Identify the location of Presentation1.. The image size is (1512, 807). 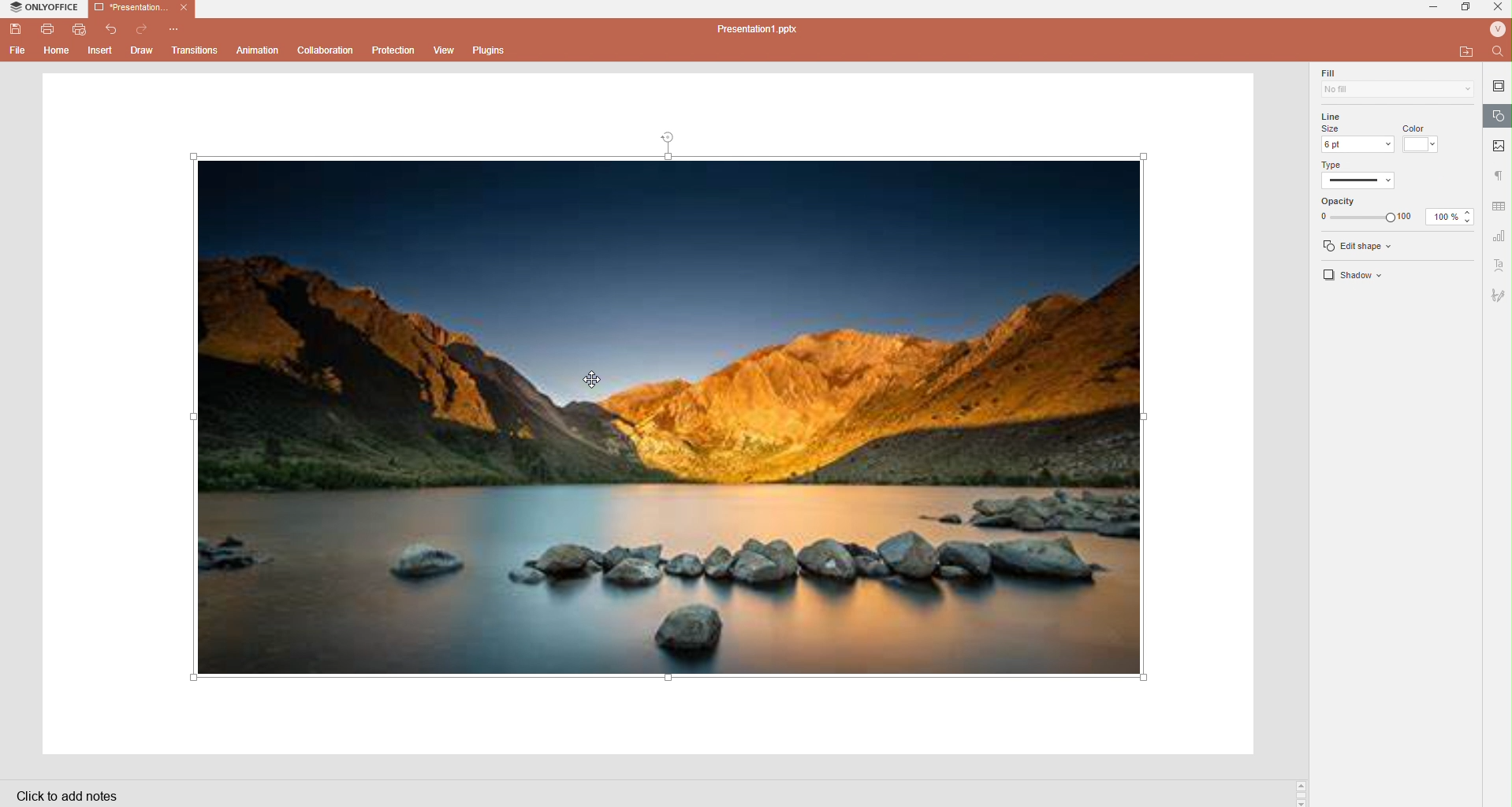
(129, 7).